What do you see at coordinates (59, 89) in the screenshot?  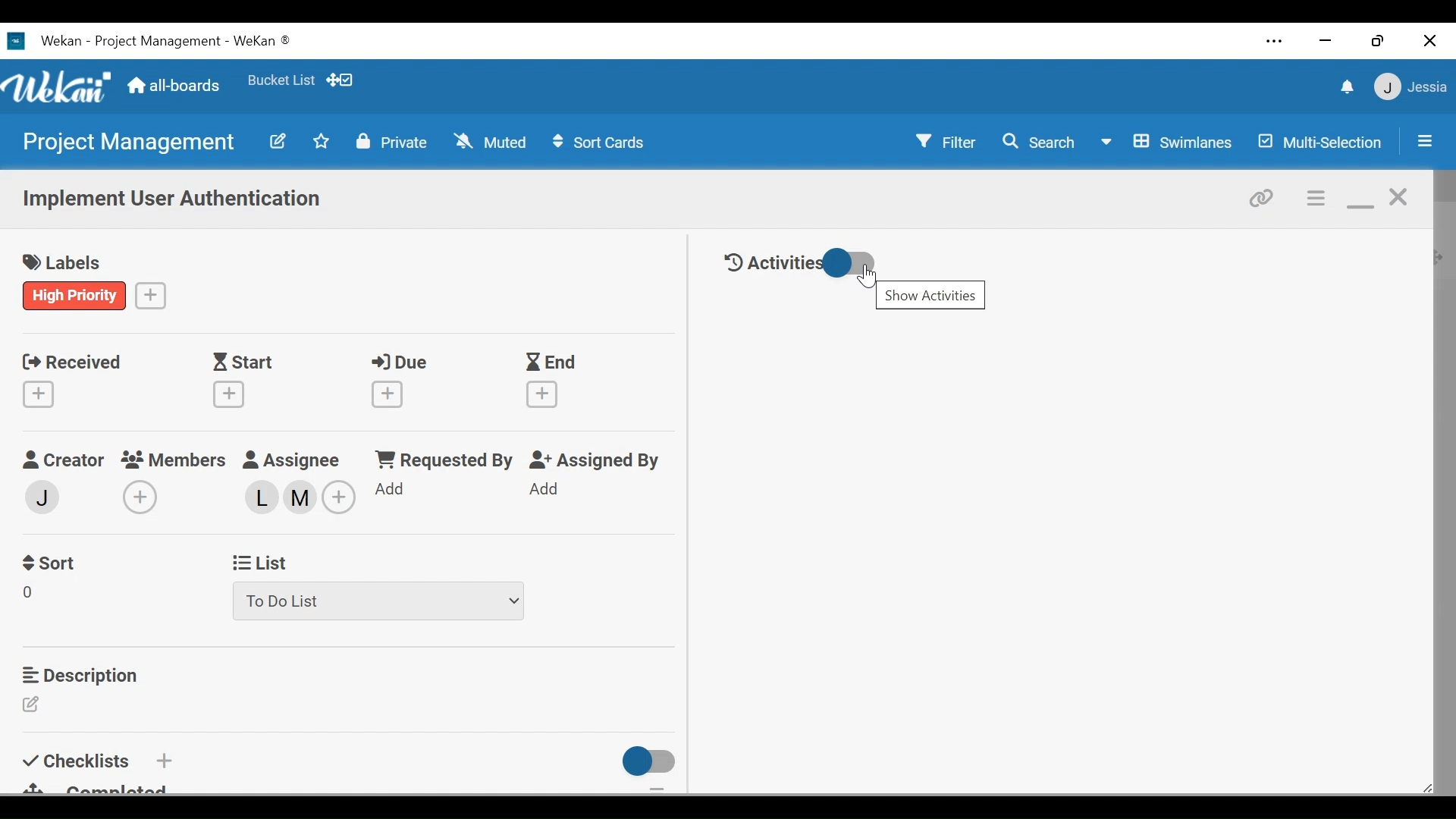 I see `Wekan logo` at bounding box center [59, 89].